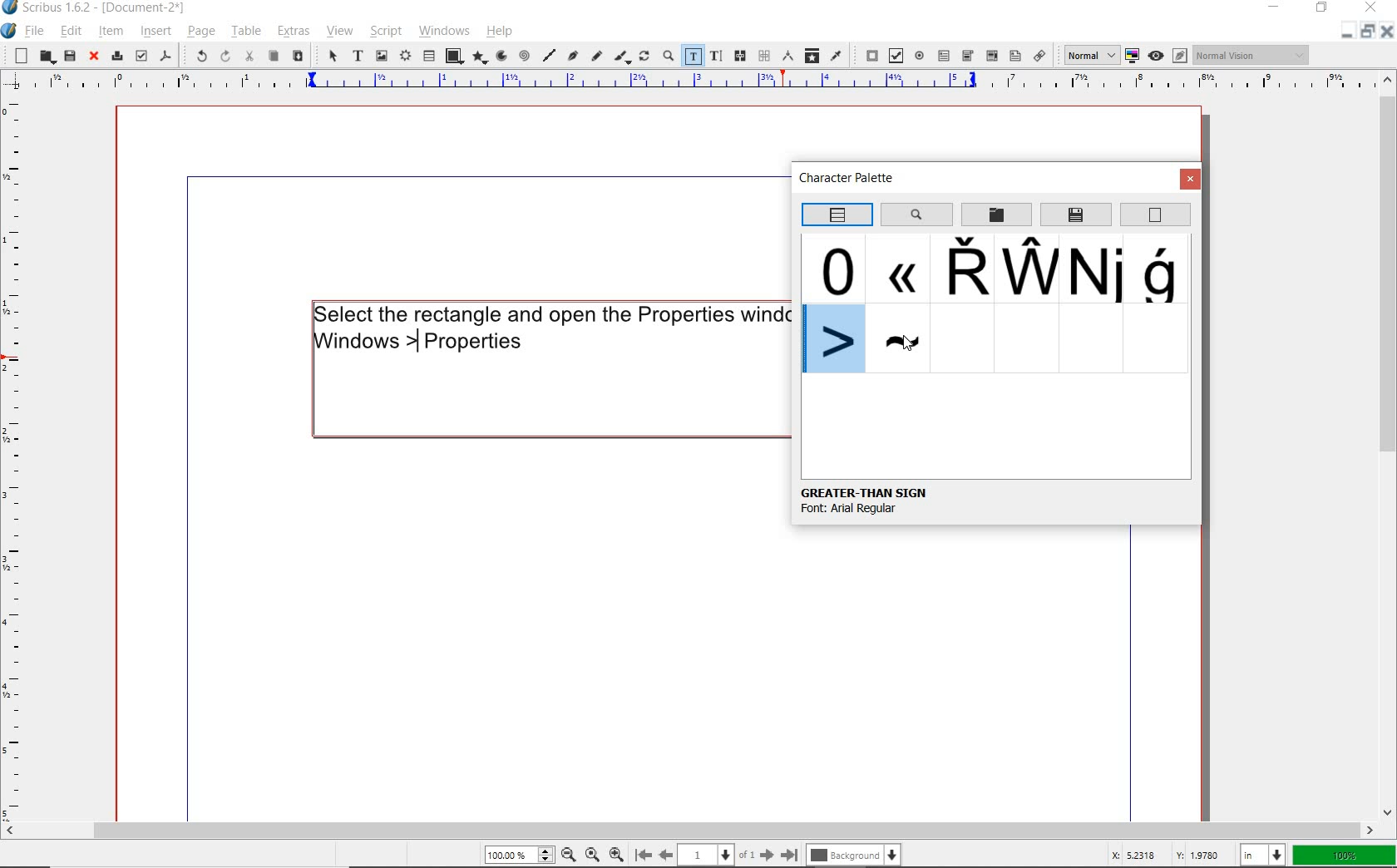 The width and height of the screenshot is (1397, 868). What do you see at coordinates (94, 57) in the screenshot?
I see `close` at bounding box center [94, 57].